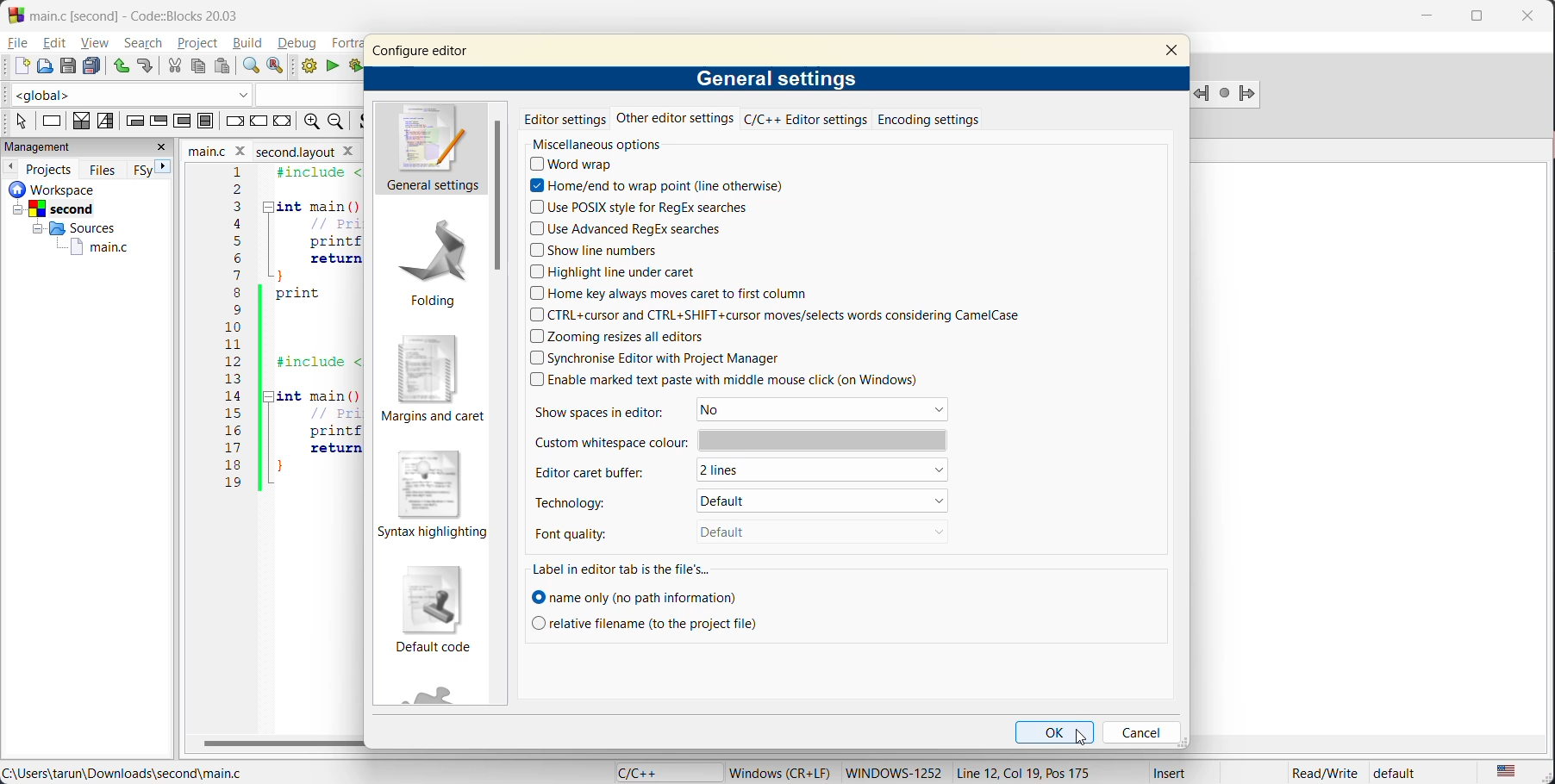 The height and width of the screenshot is (784, 1555). Describe the element at coordinates (433, 150) in the screenshot. I see `general settings` at that location.